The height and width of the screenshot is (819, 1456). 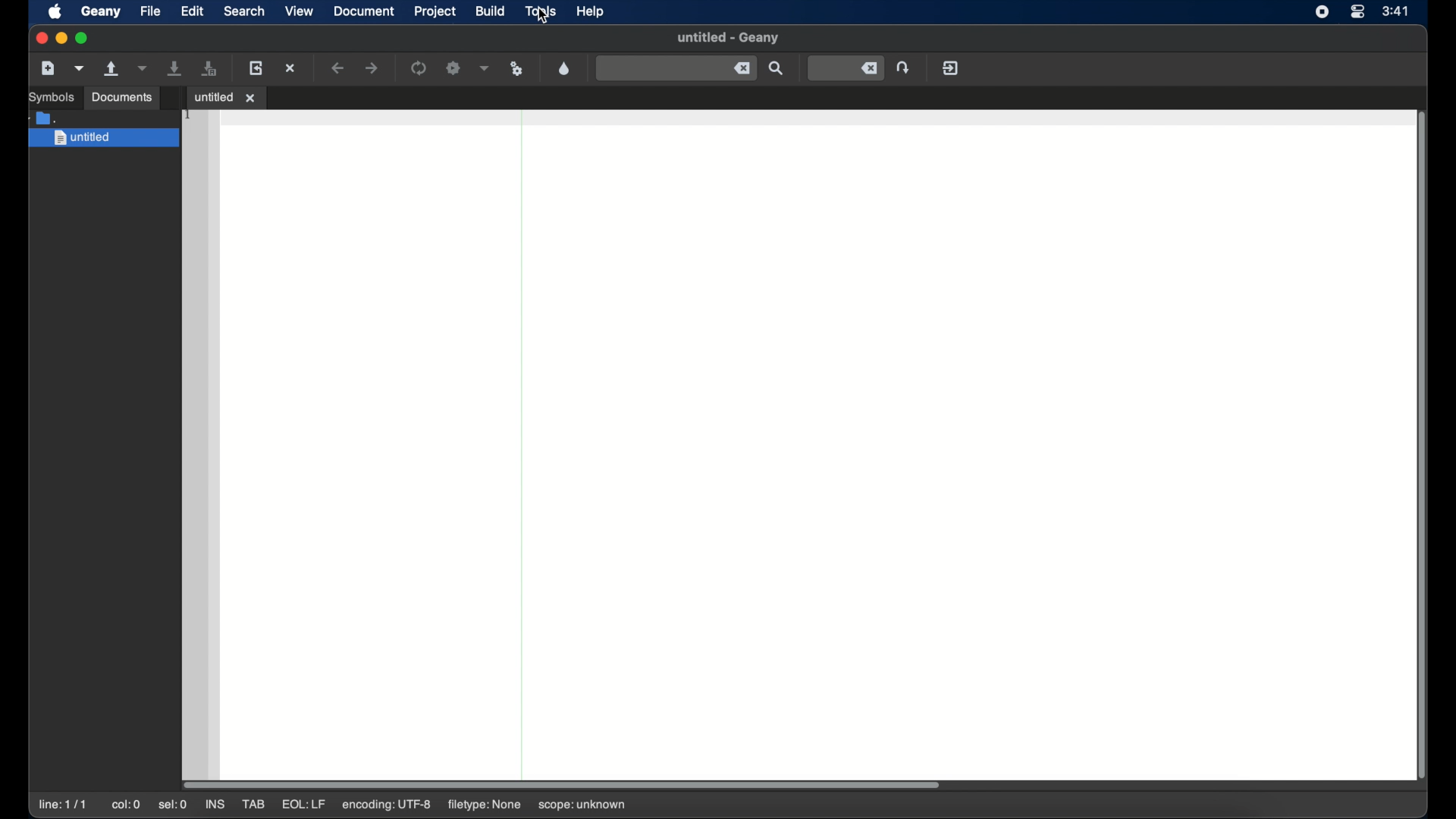 I want to click on search, so click(x=244, y=11).